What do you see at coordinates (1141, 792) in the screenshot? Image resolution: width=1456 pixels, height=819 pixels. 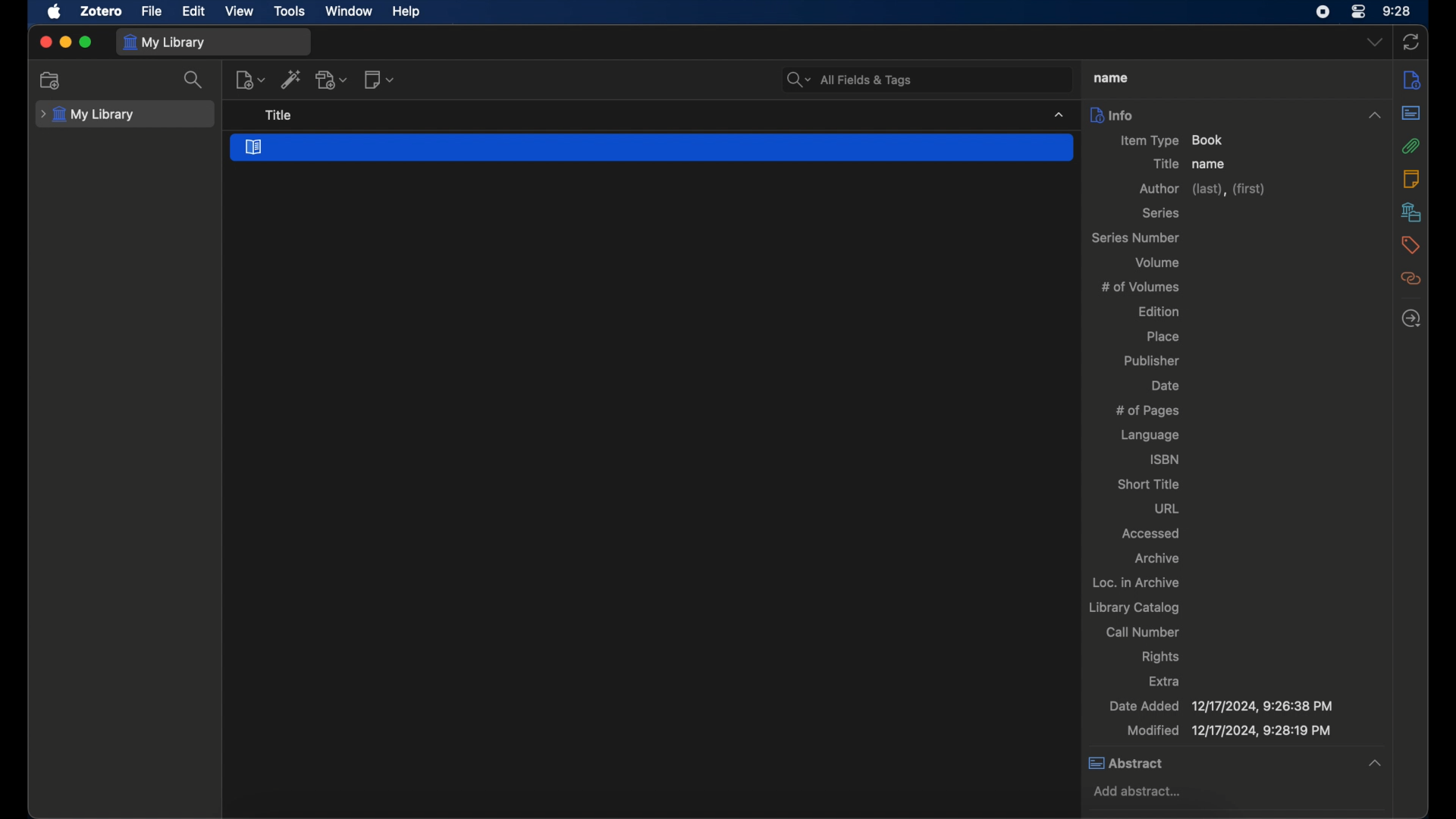 I see `add abstract` at bounding box center [1141, 792].